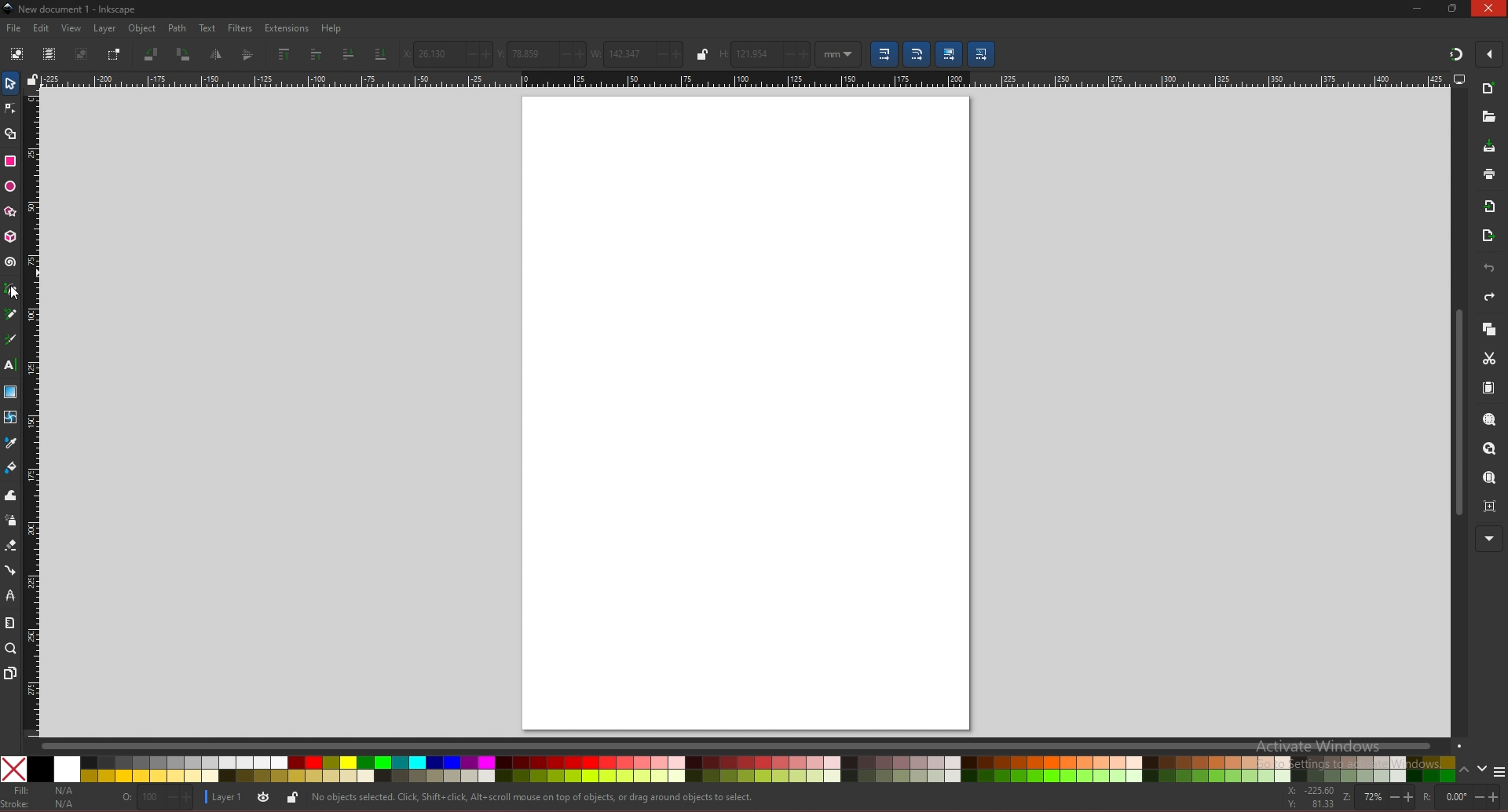 The height and width of the screenshot is (812, 1508). I want to click on undo, so click(1489, 269).